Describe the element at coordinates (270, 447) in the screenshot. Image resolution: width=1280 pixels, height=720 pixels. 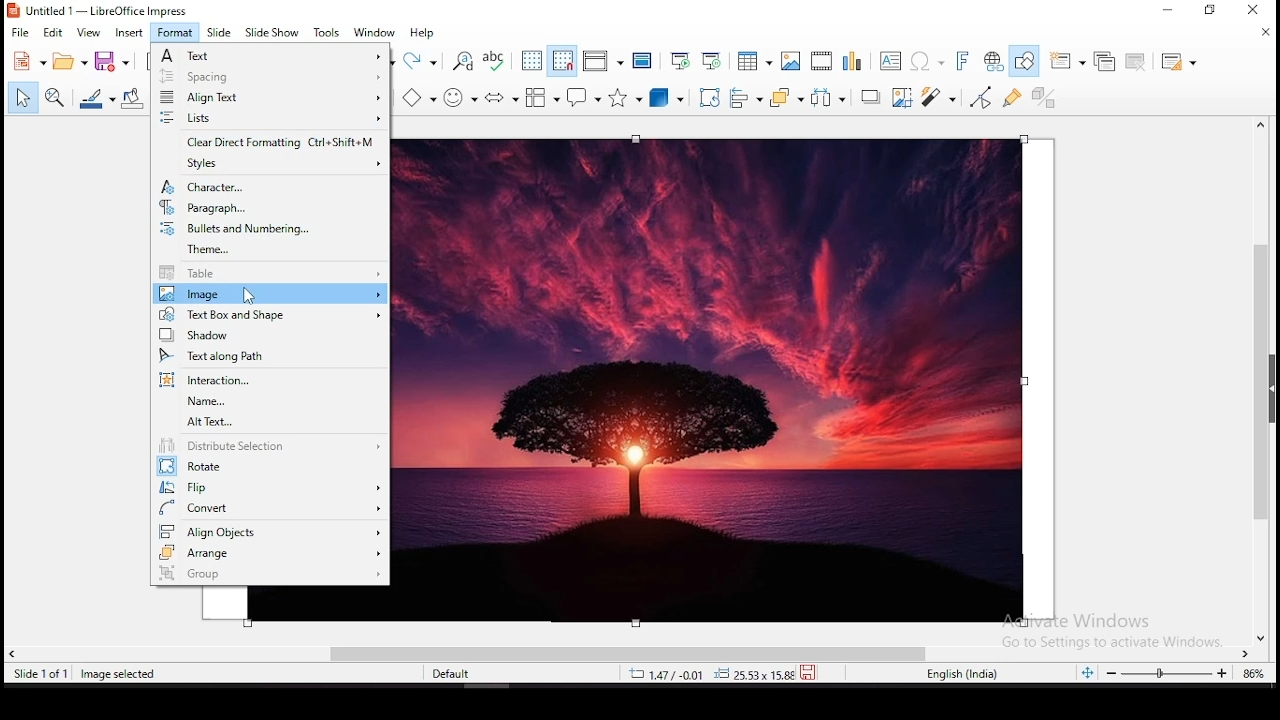
I see `distribute segments` at that location.